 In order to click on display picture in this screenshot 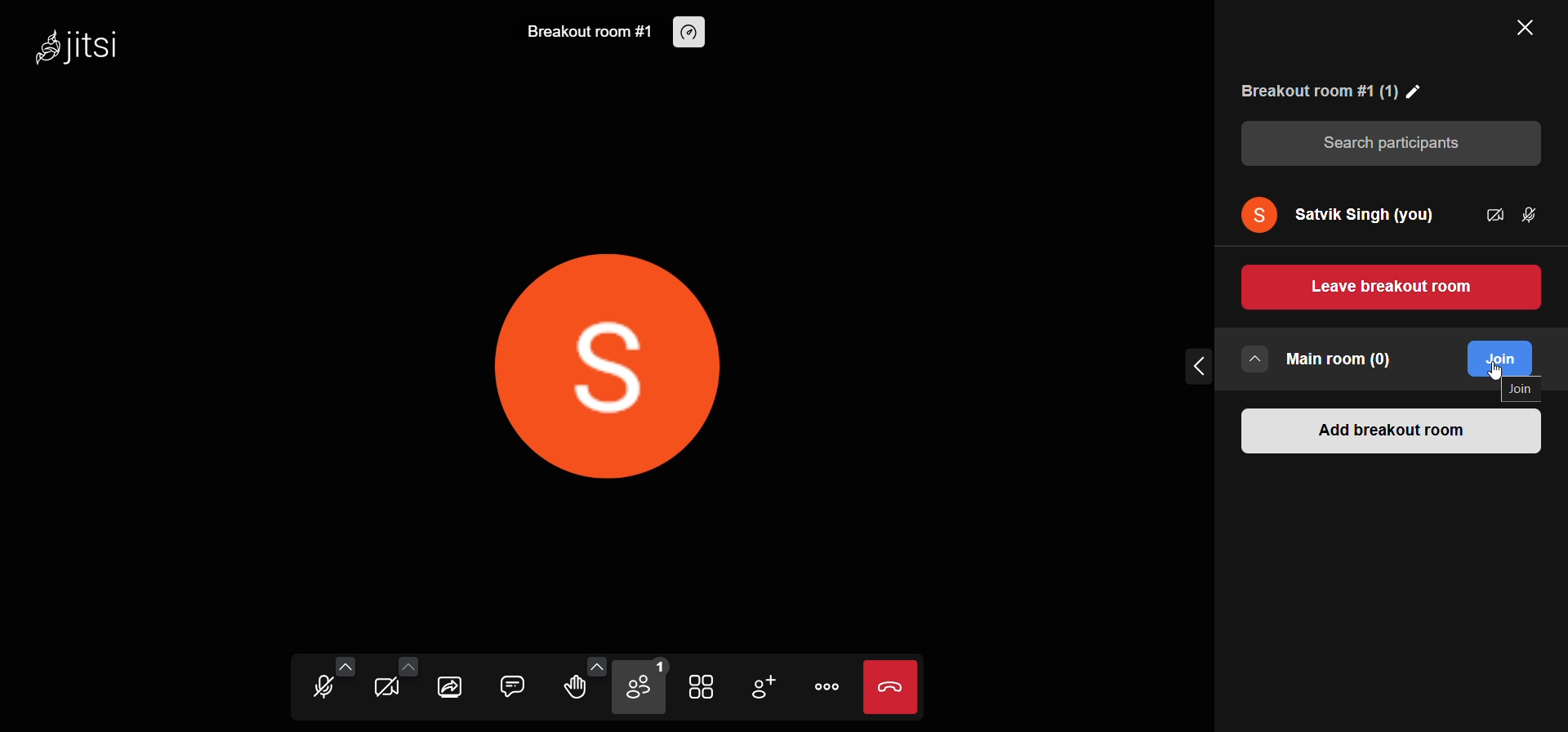, I will do `click(1258, 216)`.